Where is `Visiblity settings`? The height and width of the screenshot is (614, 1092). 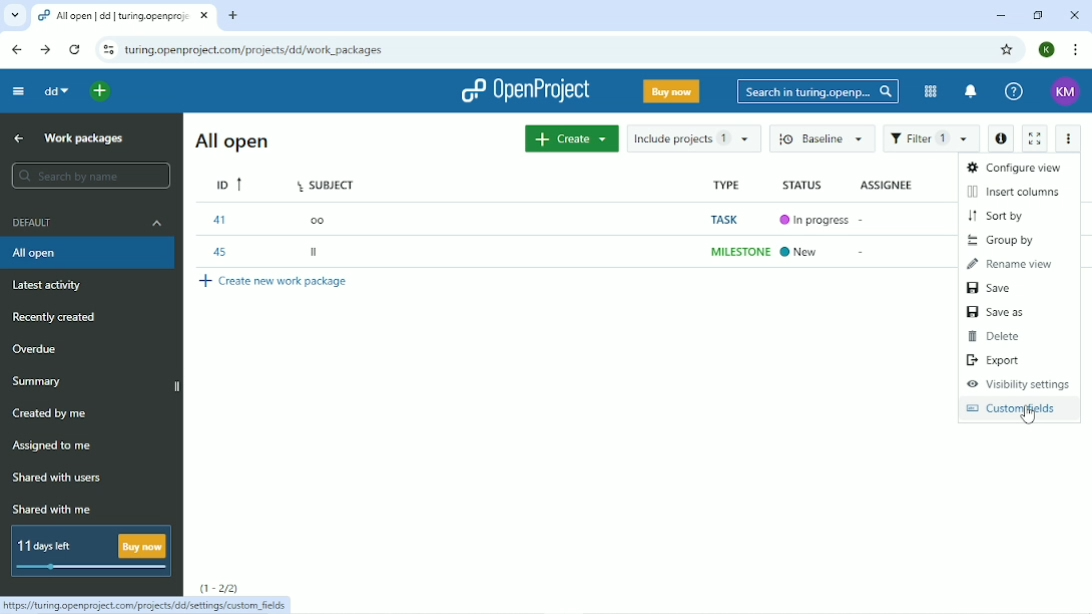
Visiblity settings is located at coordinates (1017, 384).